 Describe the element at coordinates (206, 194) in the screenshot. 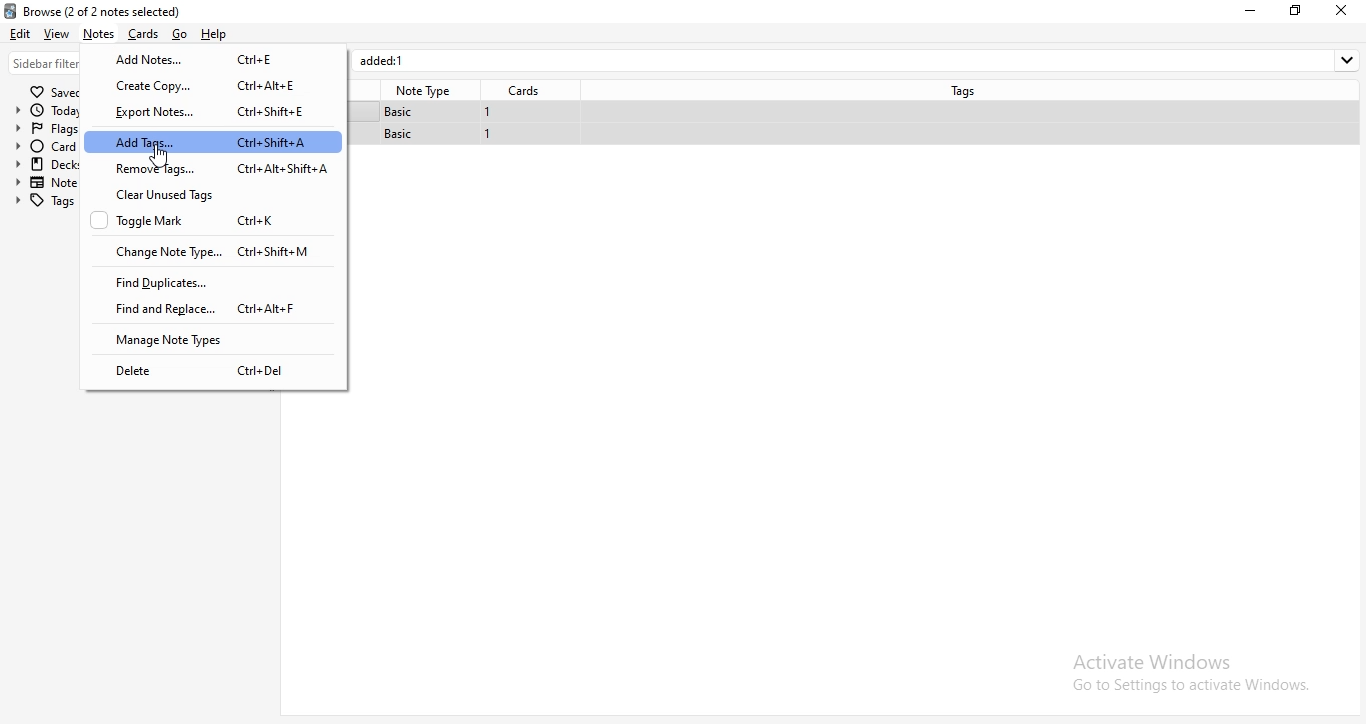

I see `clear unused tags` at that location.